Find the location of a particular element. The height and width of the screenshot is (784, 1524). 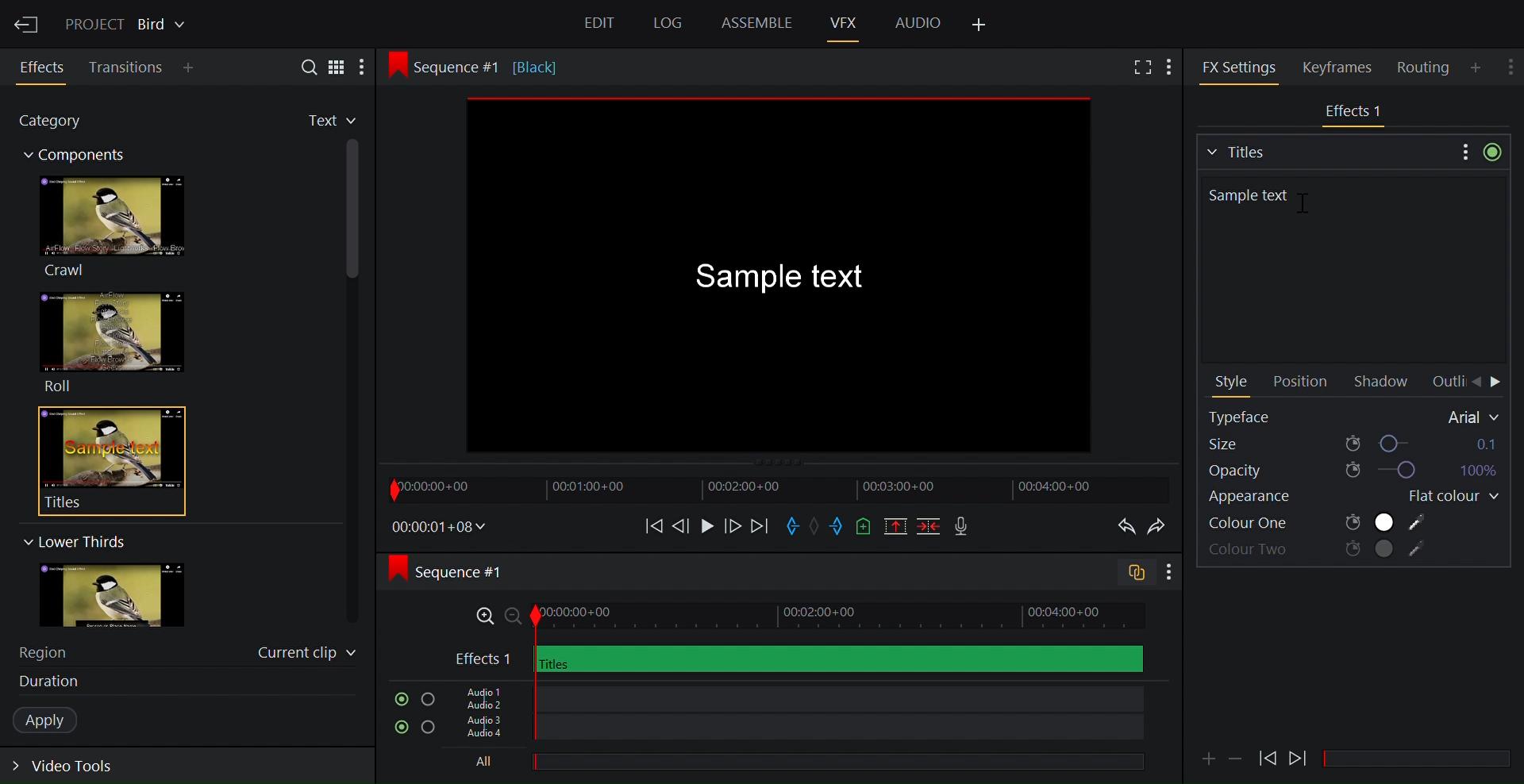

Play Backward is located at coordinates (1299, 755).